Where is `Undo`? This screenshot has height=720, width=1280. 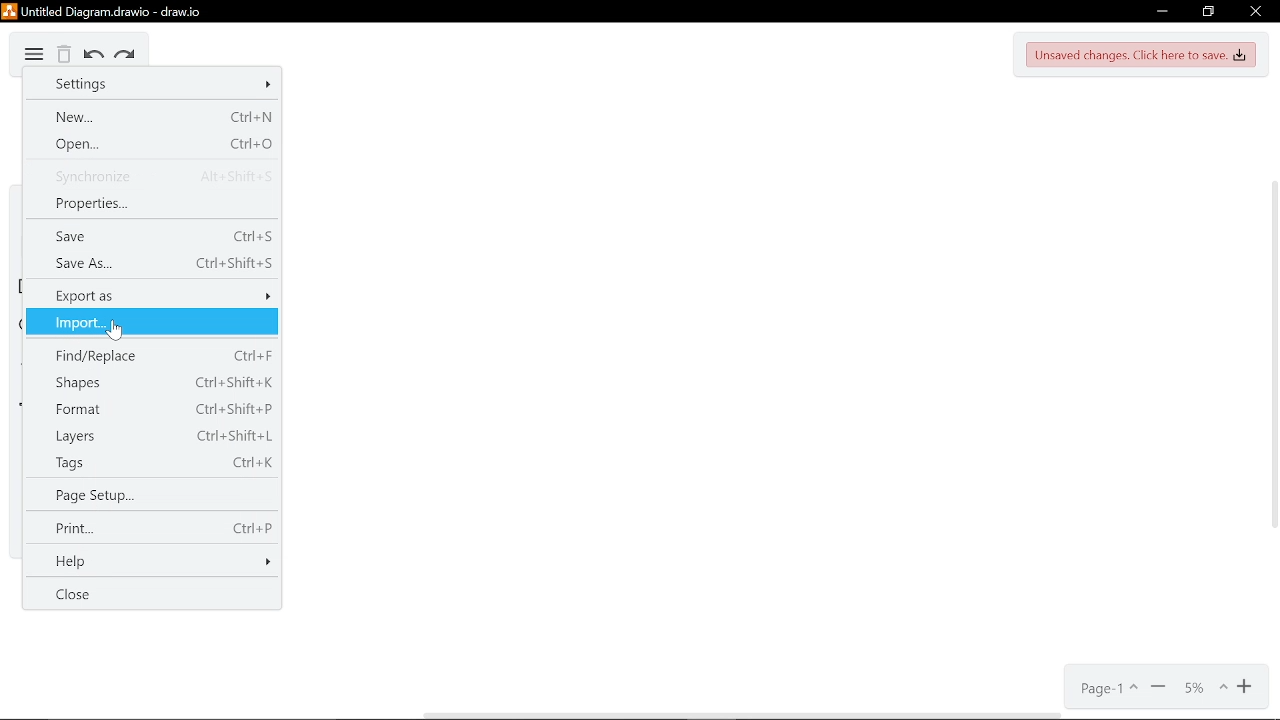 Undo is located at coordinates (92, 56).